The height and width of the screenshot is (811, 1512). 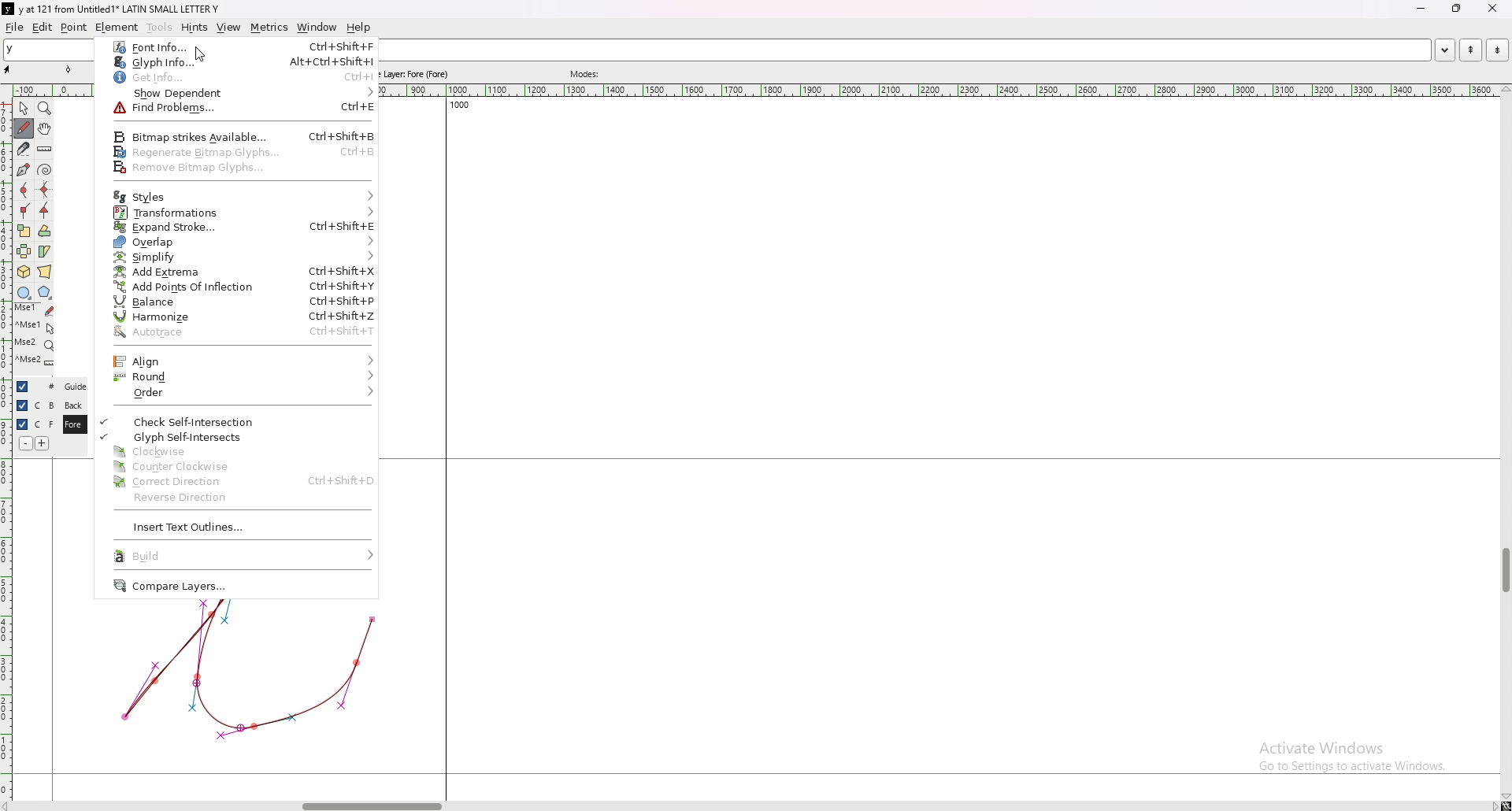 I want to click on change whether spiro is active or not, so click(x=45, y=169).